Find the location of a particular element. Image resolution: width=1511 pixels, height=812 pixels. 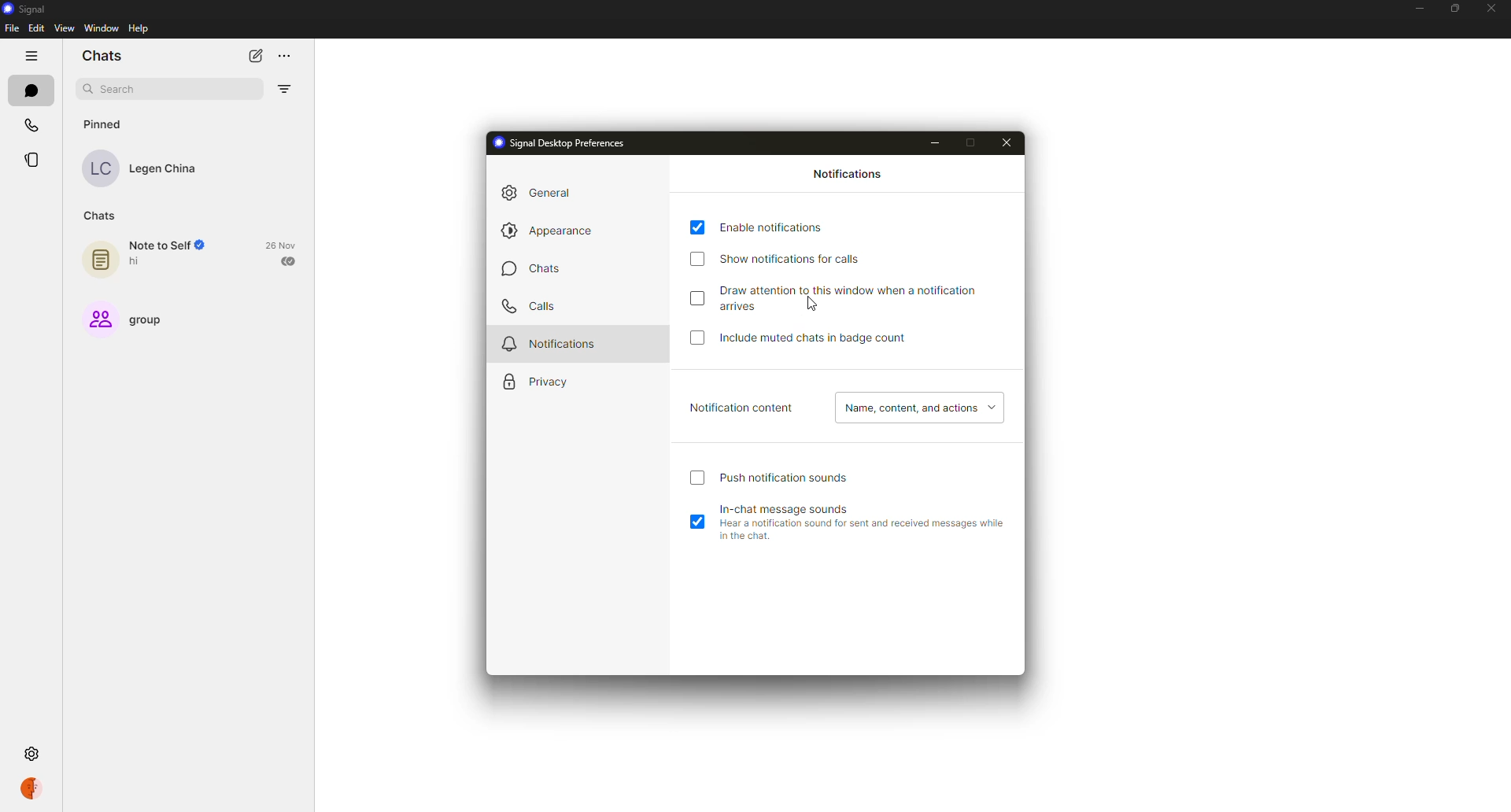

minimize is located at coordinates (932, 141).